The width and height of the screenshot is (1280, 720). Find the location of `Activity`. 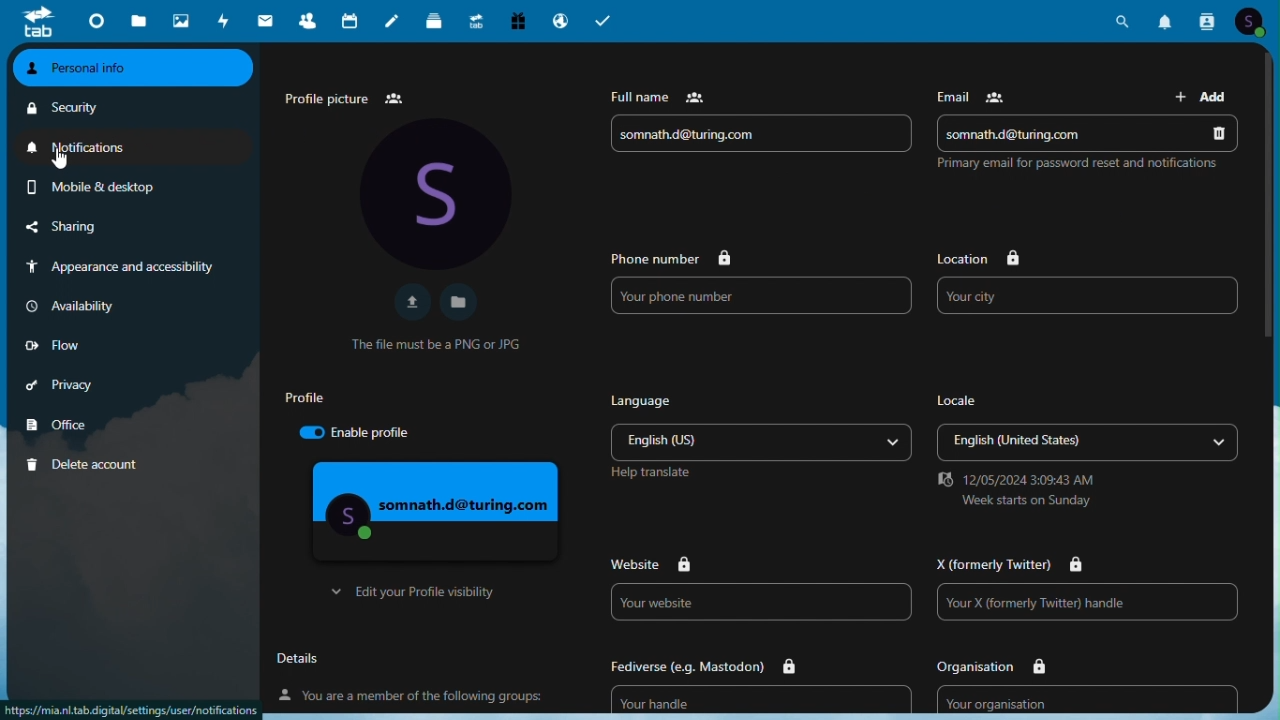

Activity is located at coordinates (224, 19).